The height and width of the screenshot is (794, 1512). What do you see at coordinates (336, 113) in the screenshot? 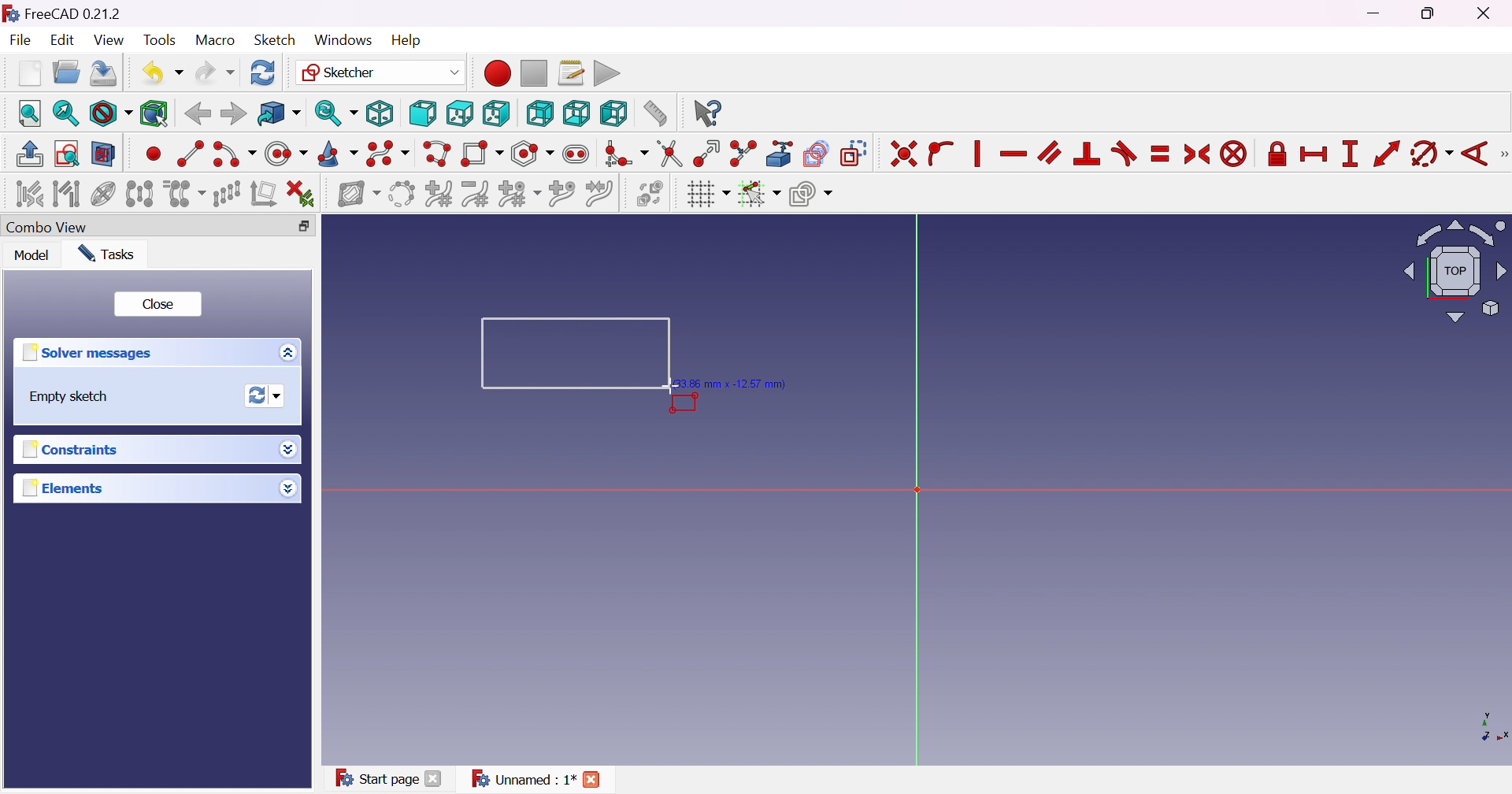
I see `Sync view` at bounding box center [336, 113].